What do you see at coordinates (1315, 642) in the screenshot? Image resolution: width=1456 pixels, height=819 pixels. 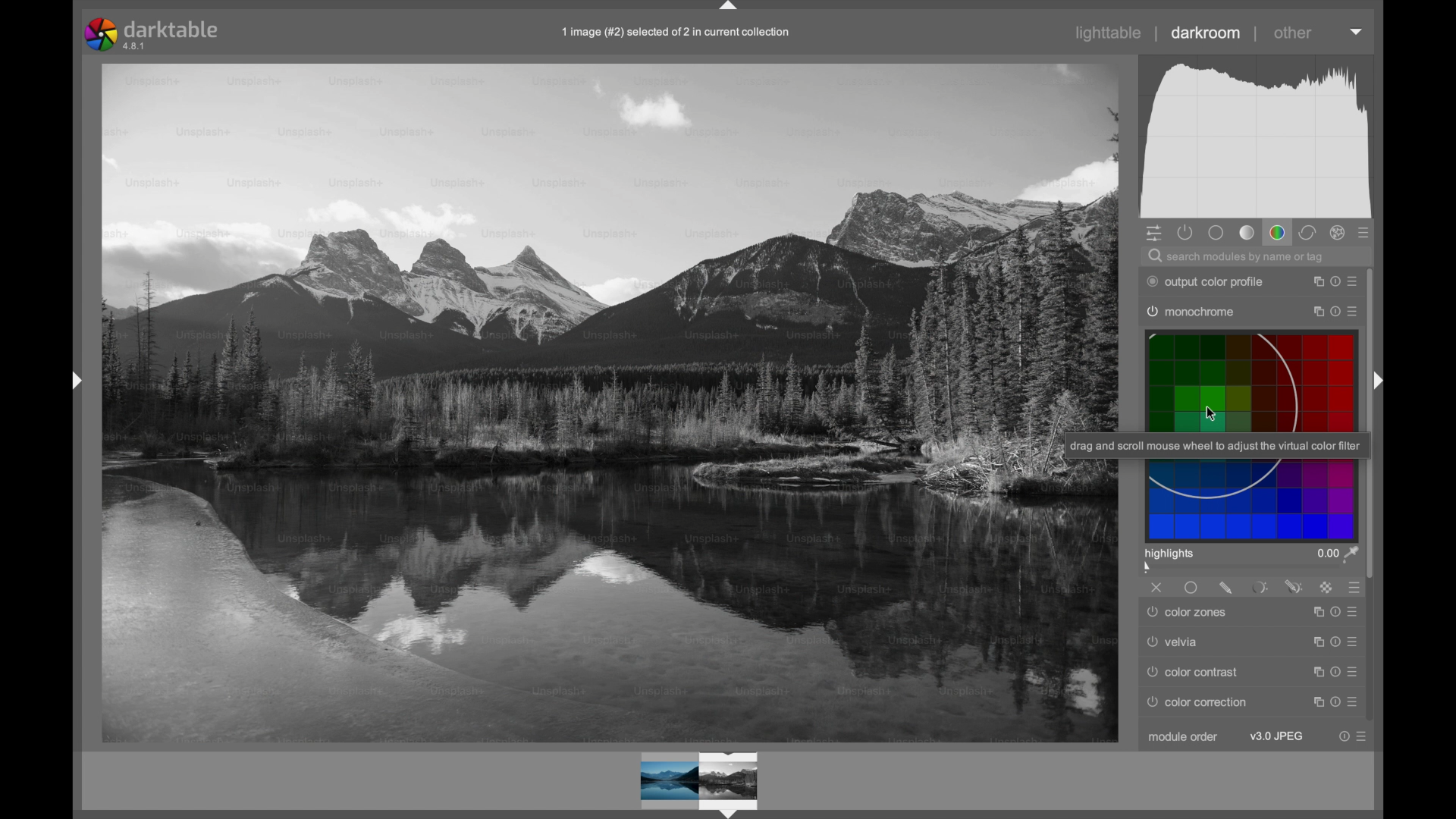 I see `instance` at bounding box center [1315, 642].